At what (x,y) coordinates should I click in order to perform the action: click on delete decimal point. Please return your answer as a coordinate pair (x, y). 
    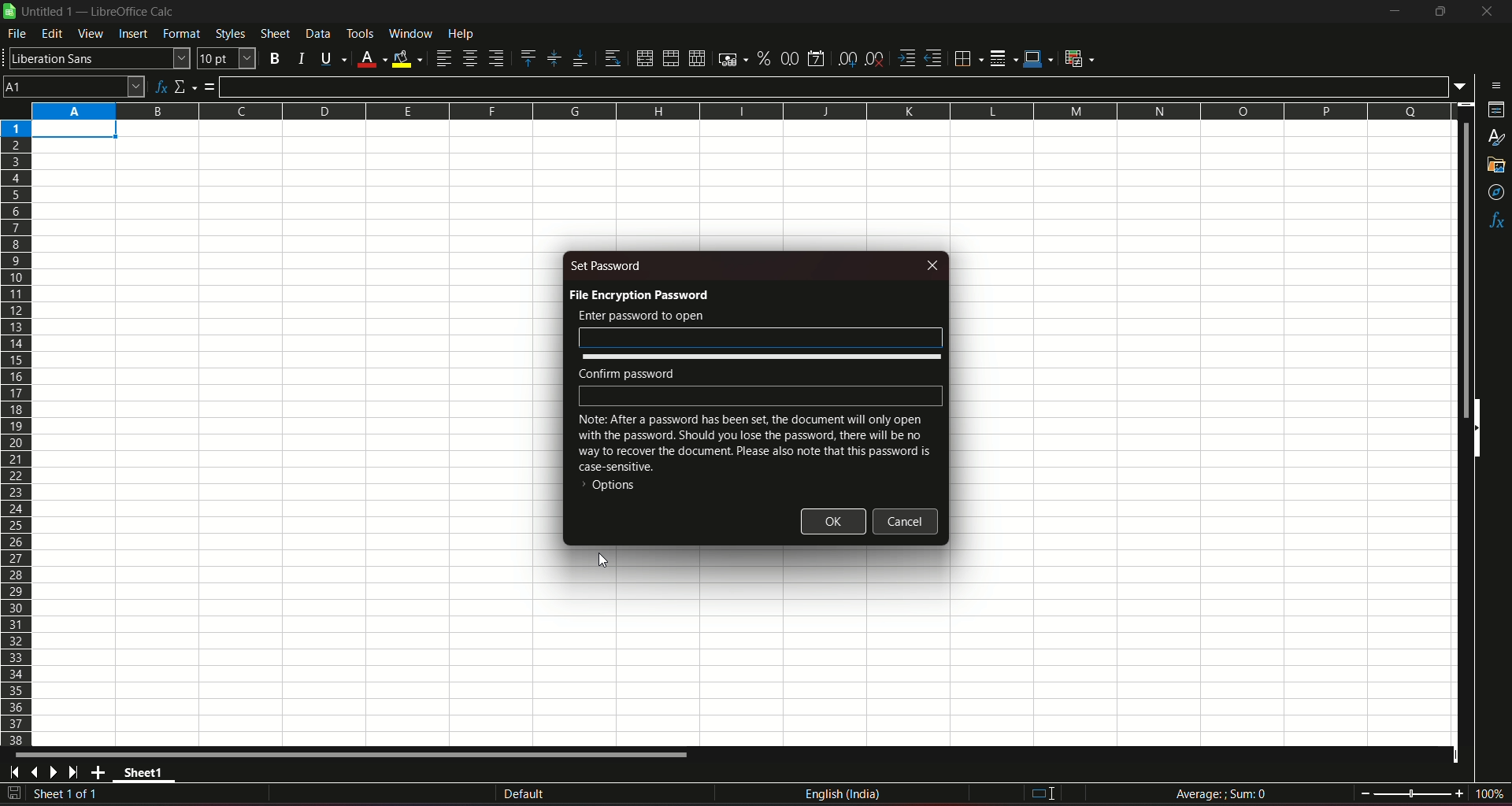
    Looking at the image, I should click on (876, 58).